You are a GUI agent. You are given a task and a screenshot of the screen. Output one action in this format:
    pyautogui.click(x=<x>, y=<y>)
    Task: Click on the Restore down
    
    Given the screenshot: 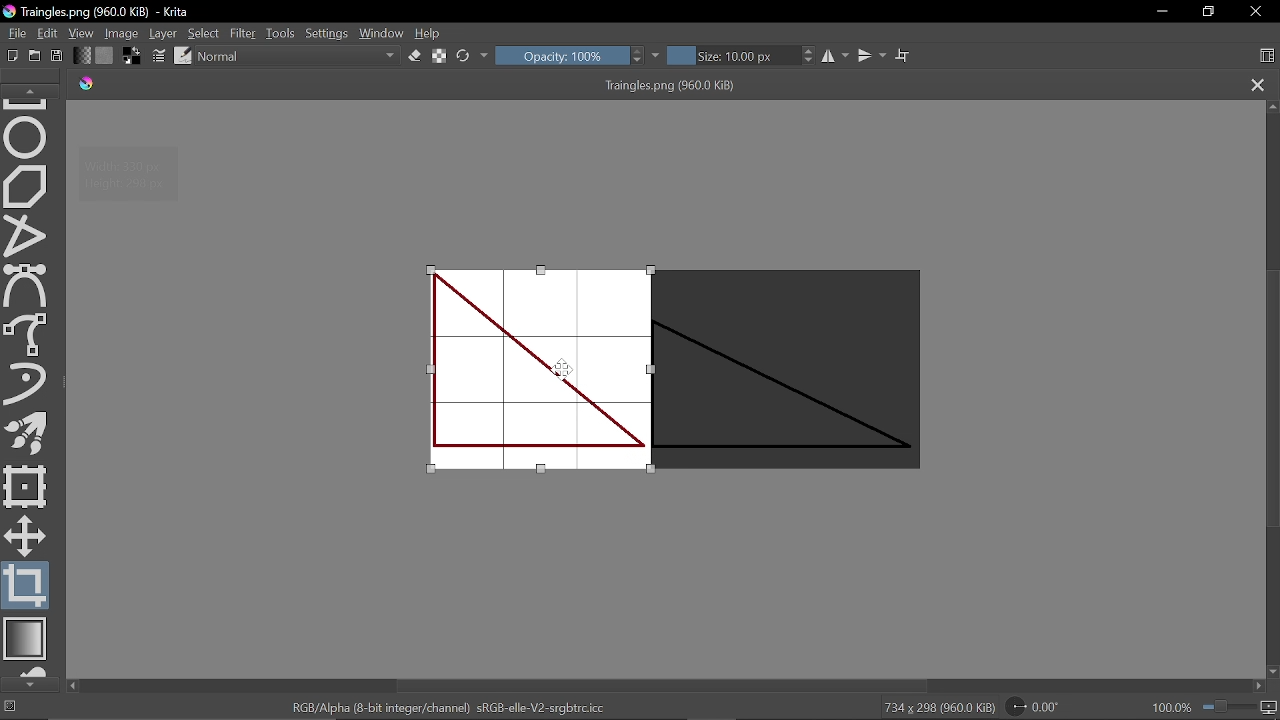 What is the action you would take?
    pyautogui.click(x=1209, y=12)
    